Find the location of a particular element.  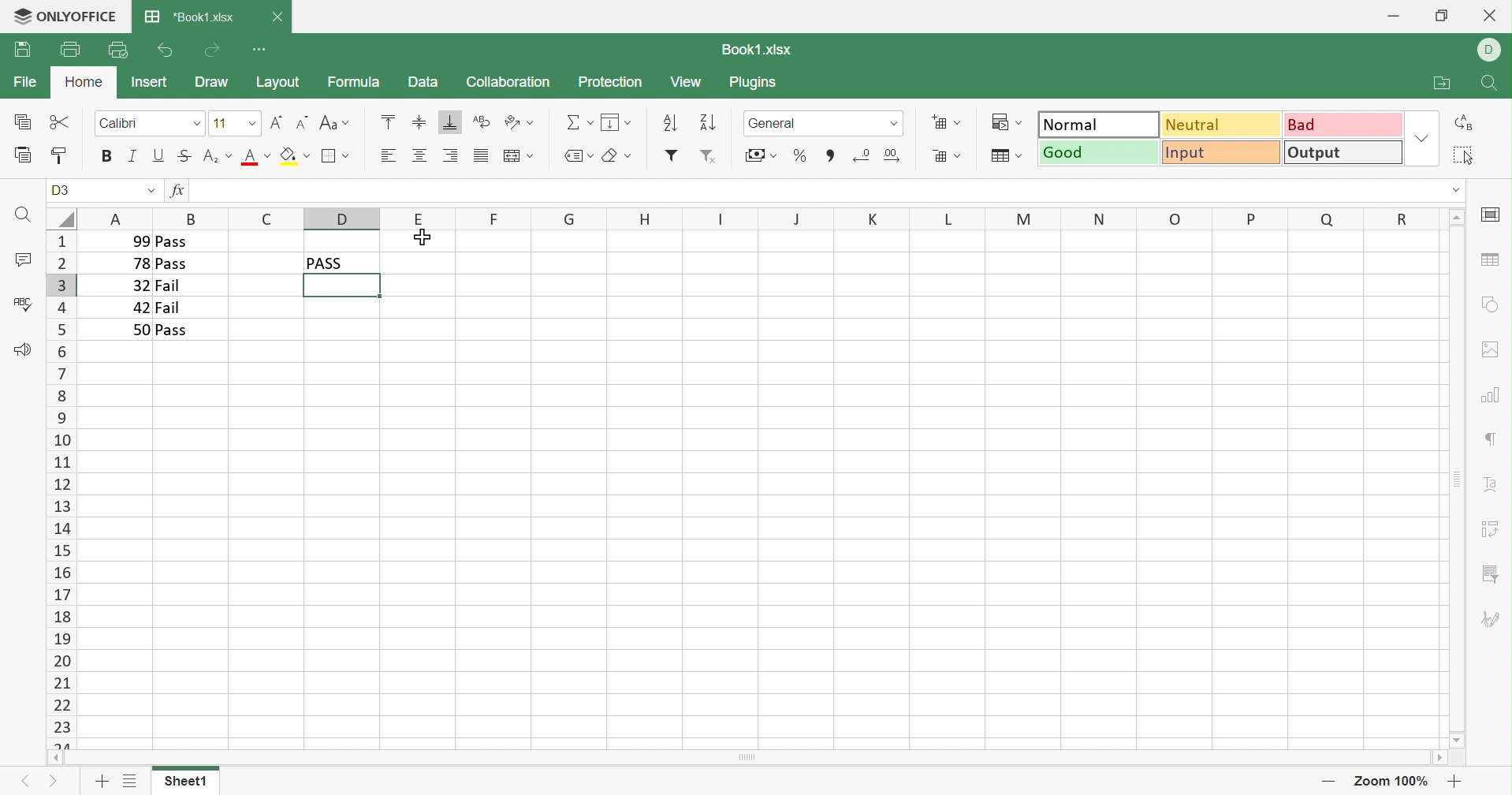

Redo is located at coordinates (212, 50).